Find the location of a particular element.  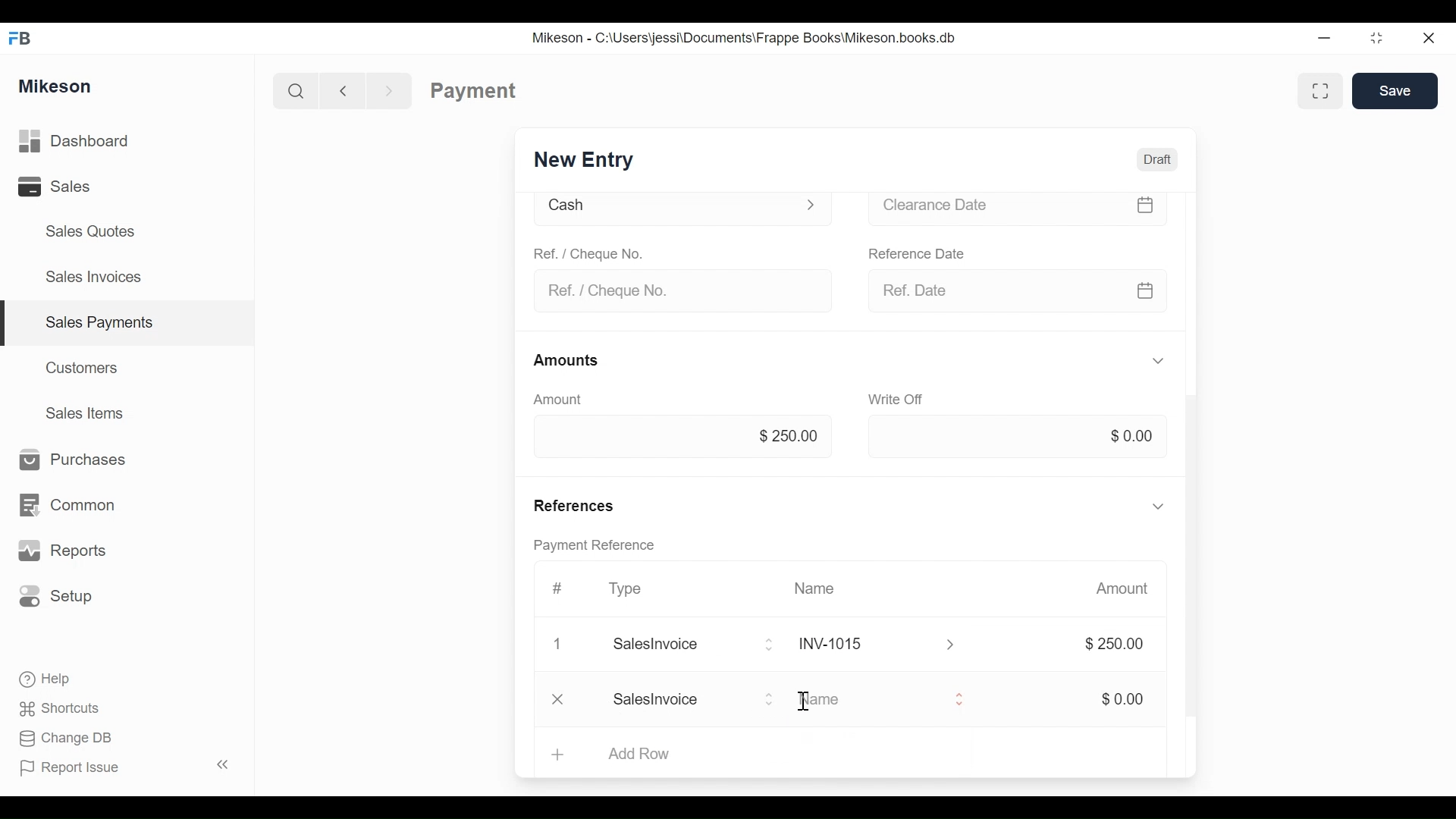

Dashboard is located at coordinates (99, 142).